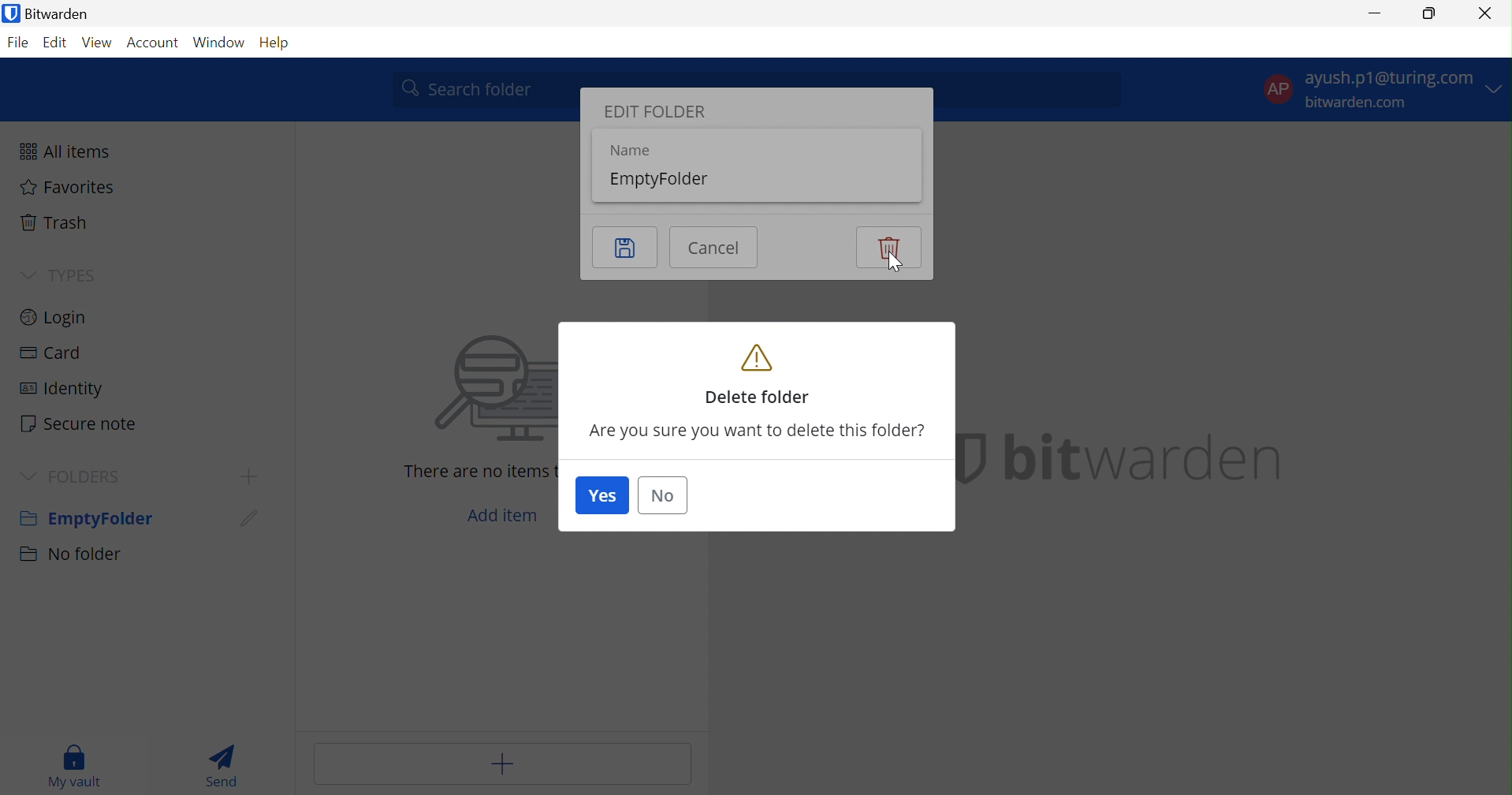 This screenshot has width=1512, height=795. Describe the element at coordinates (87, 277) in the screenshot. I see `TYPES` at that location.